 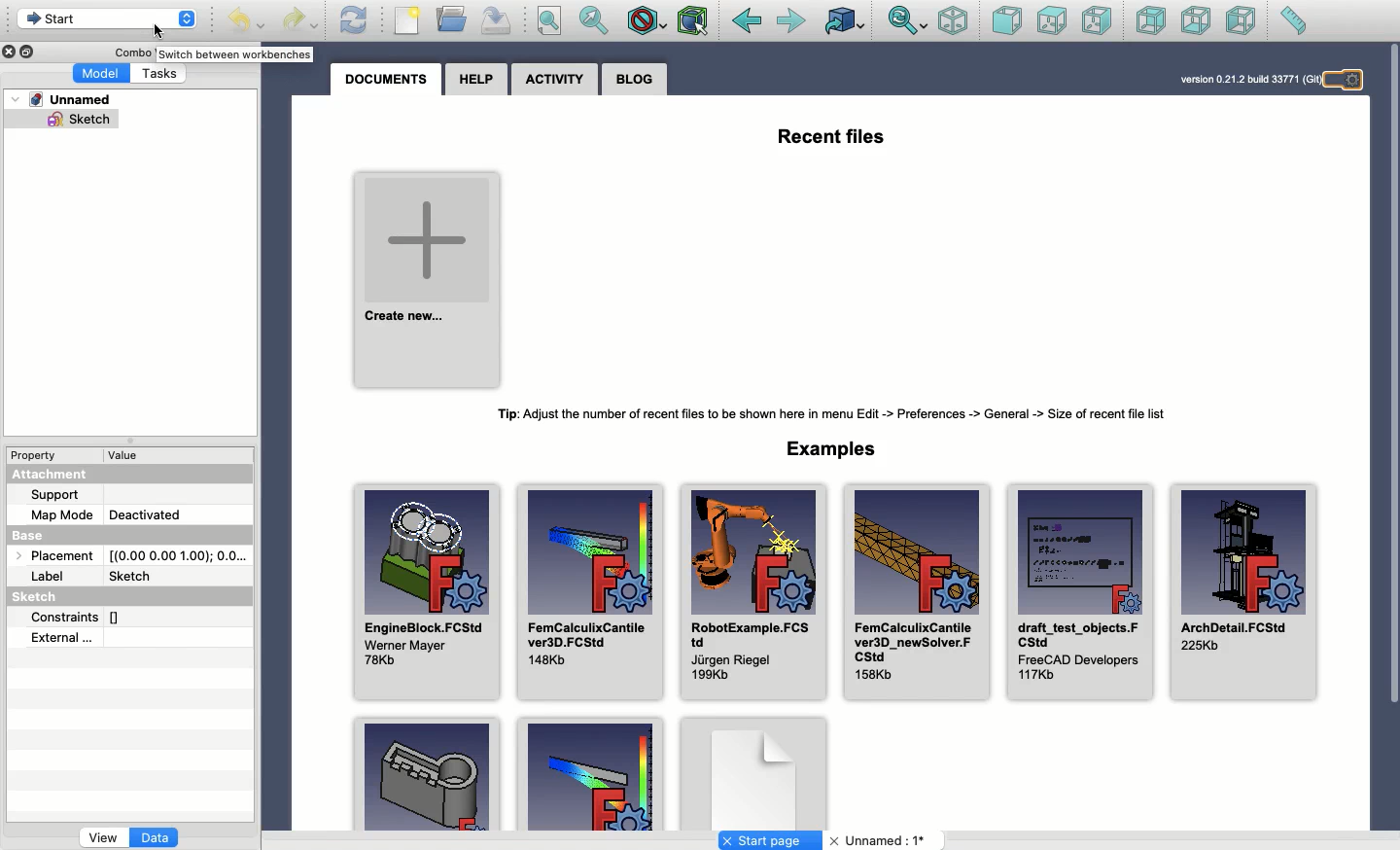 I want to click on View, so click(x=103, y=839).